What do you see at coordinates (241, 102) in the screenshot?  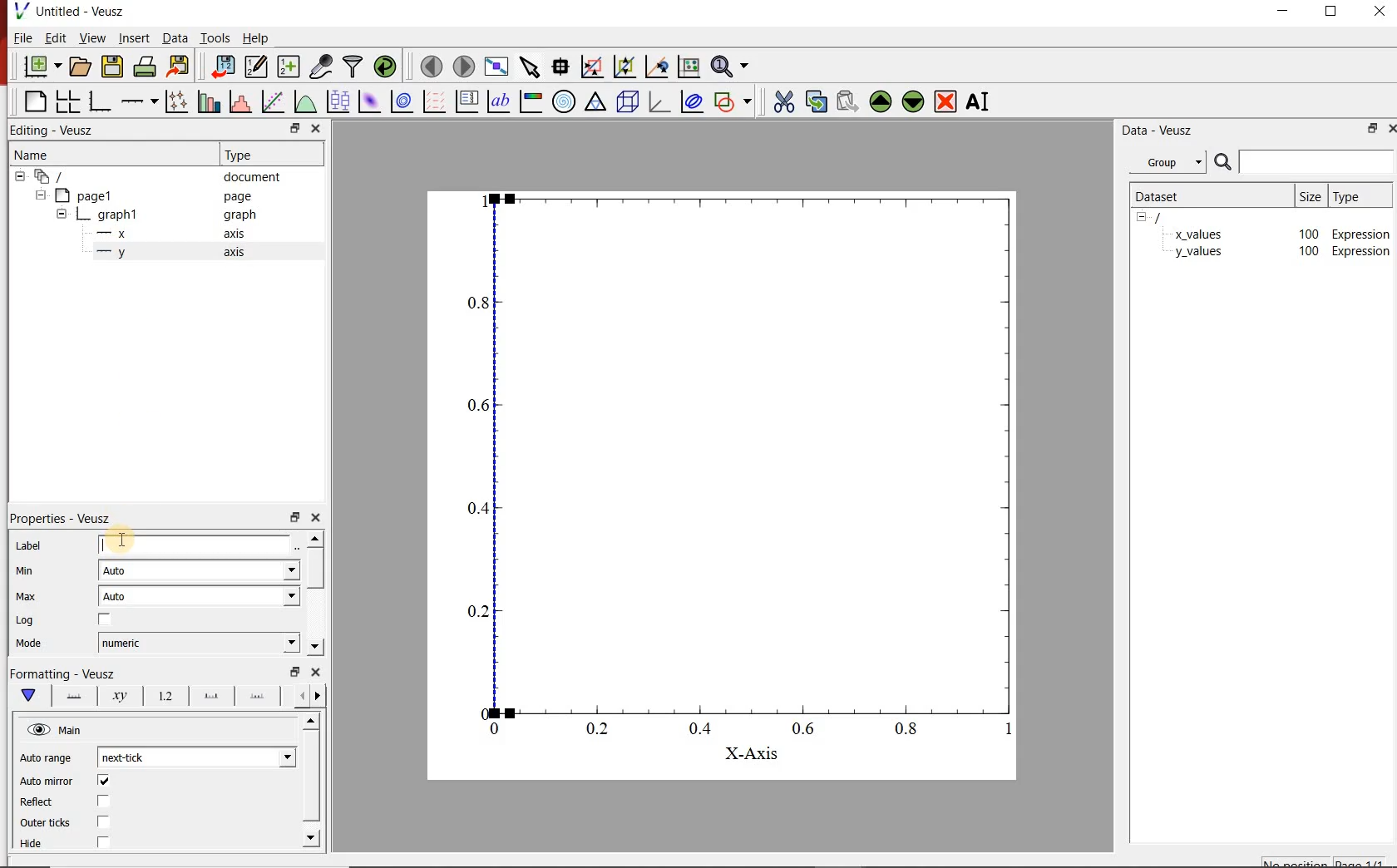 I see `histogram of a dataset` at bounding box center [241, 102].